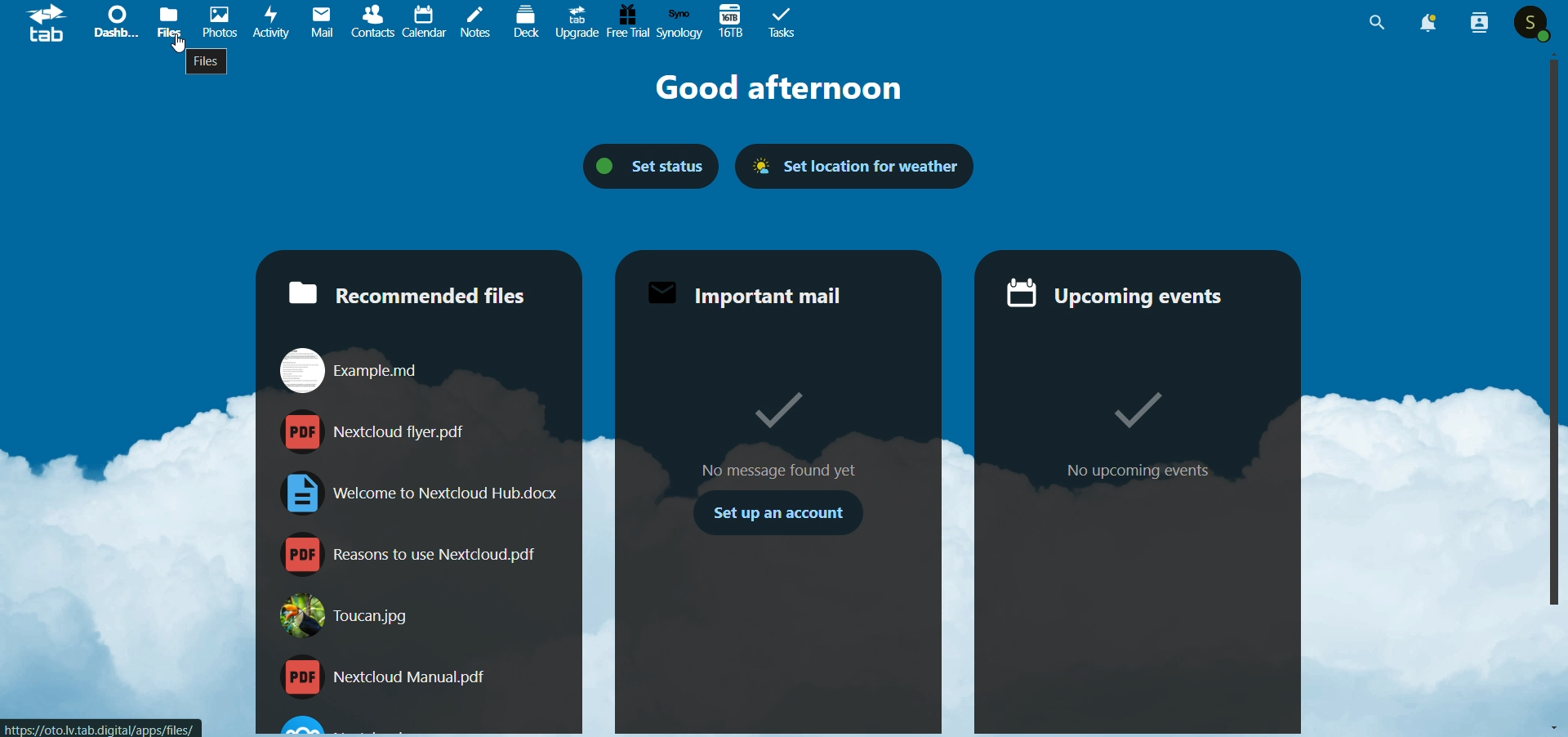 Image resolution: width=1568 pixels, height=737 pixels. What do you see at coordinates (782, 87) in the screenshot?
I see `good afternoon` at bounding box center [782, 87].